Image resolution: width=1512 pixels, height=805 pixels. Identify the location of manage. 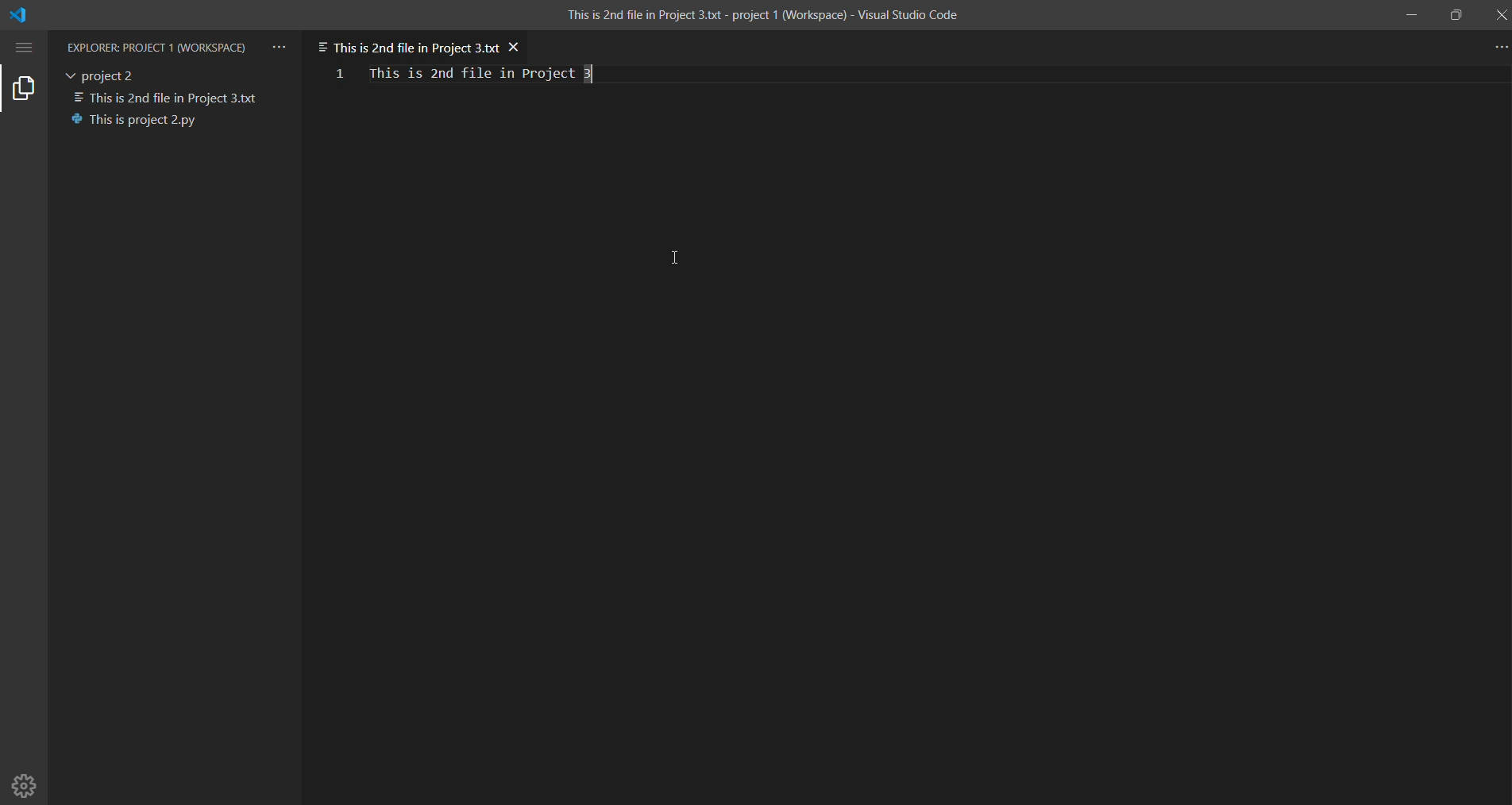
(26, 784).